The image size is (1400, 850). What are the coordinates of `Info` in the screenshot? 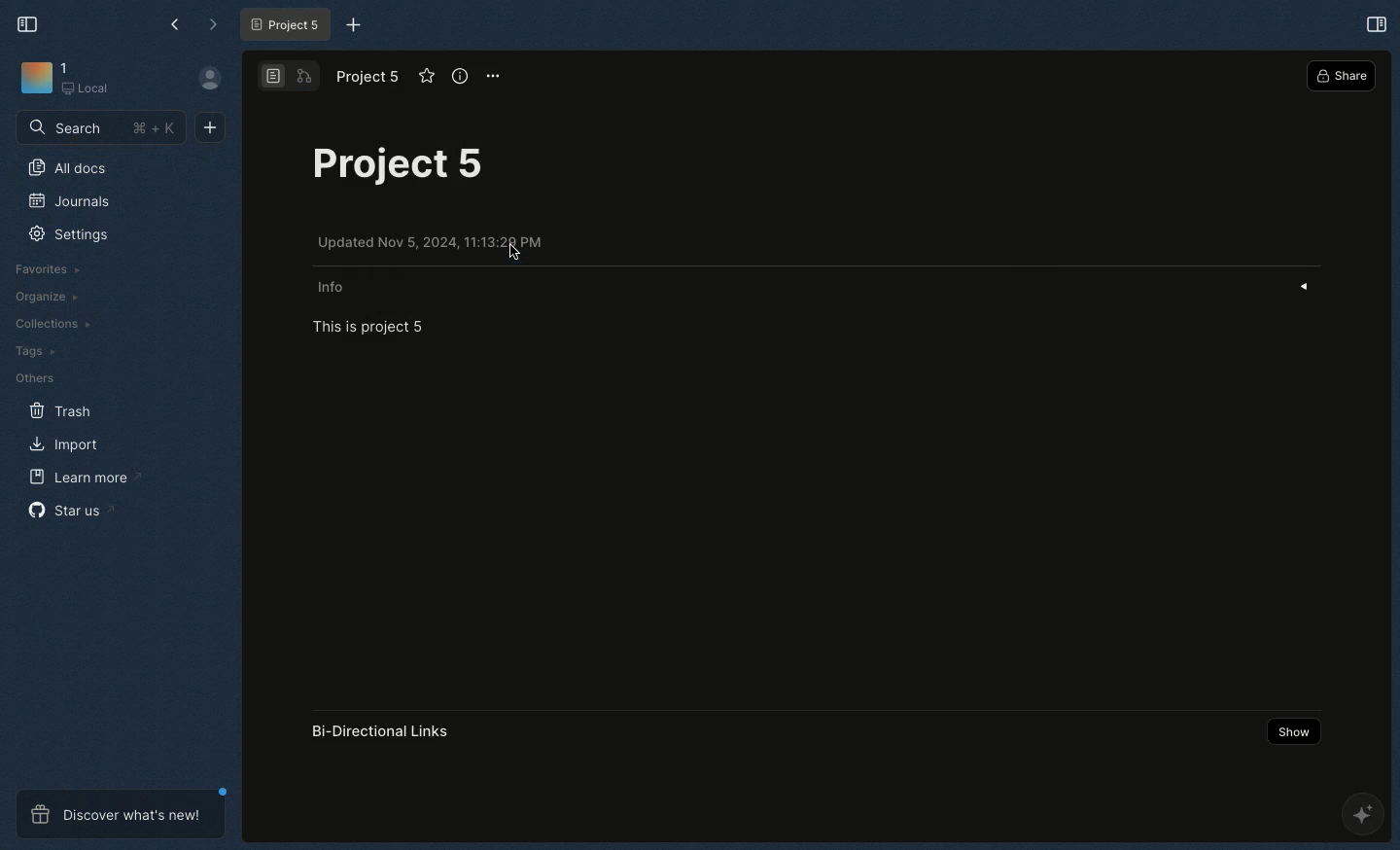 It's located at (458, 75).